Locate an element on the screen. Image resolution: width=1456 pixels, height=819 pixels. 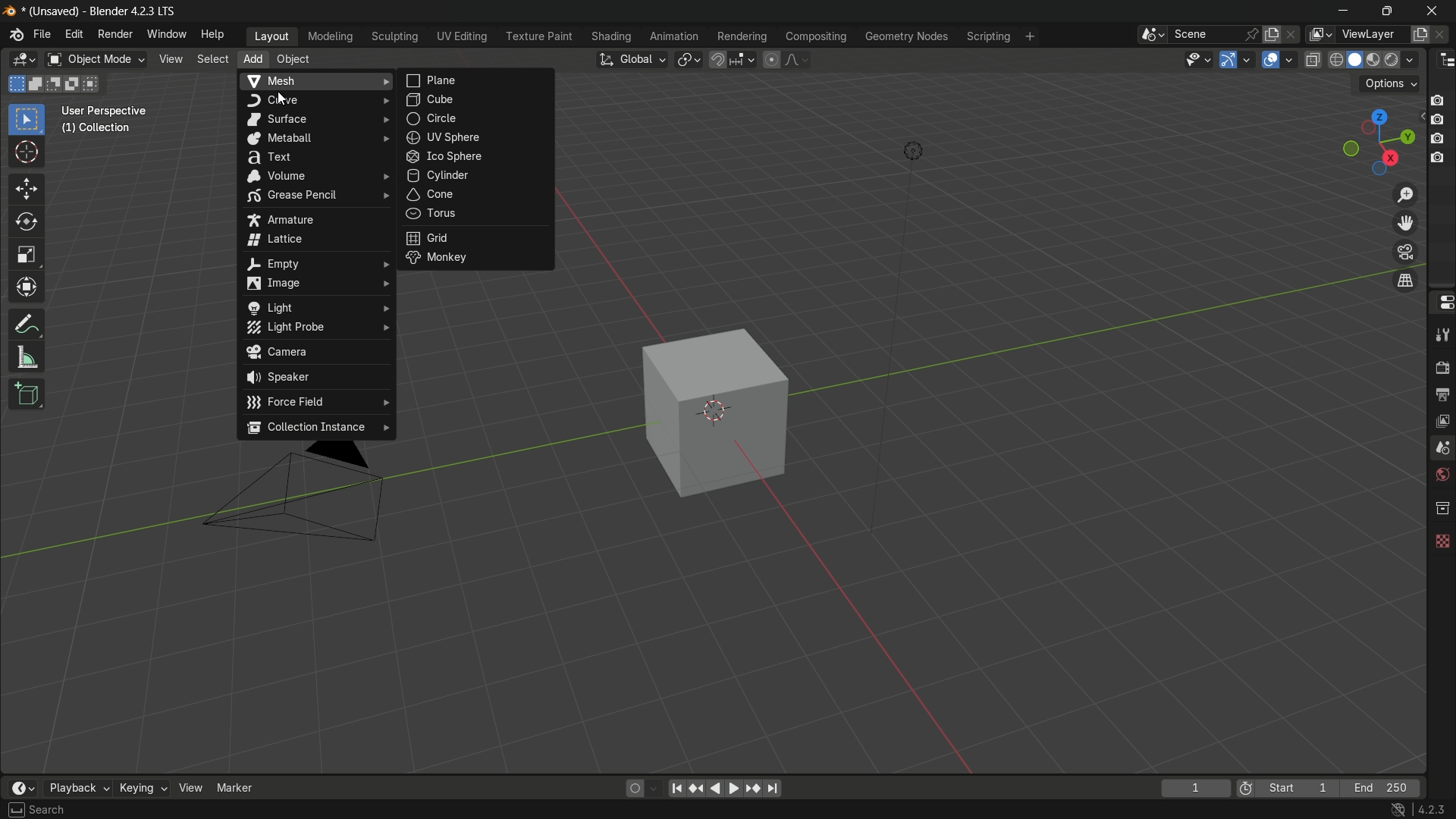
armature is located at coordinates (315, 218).